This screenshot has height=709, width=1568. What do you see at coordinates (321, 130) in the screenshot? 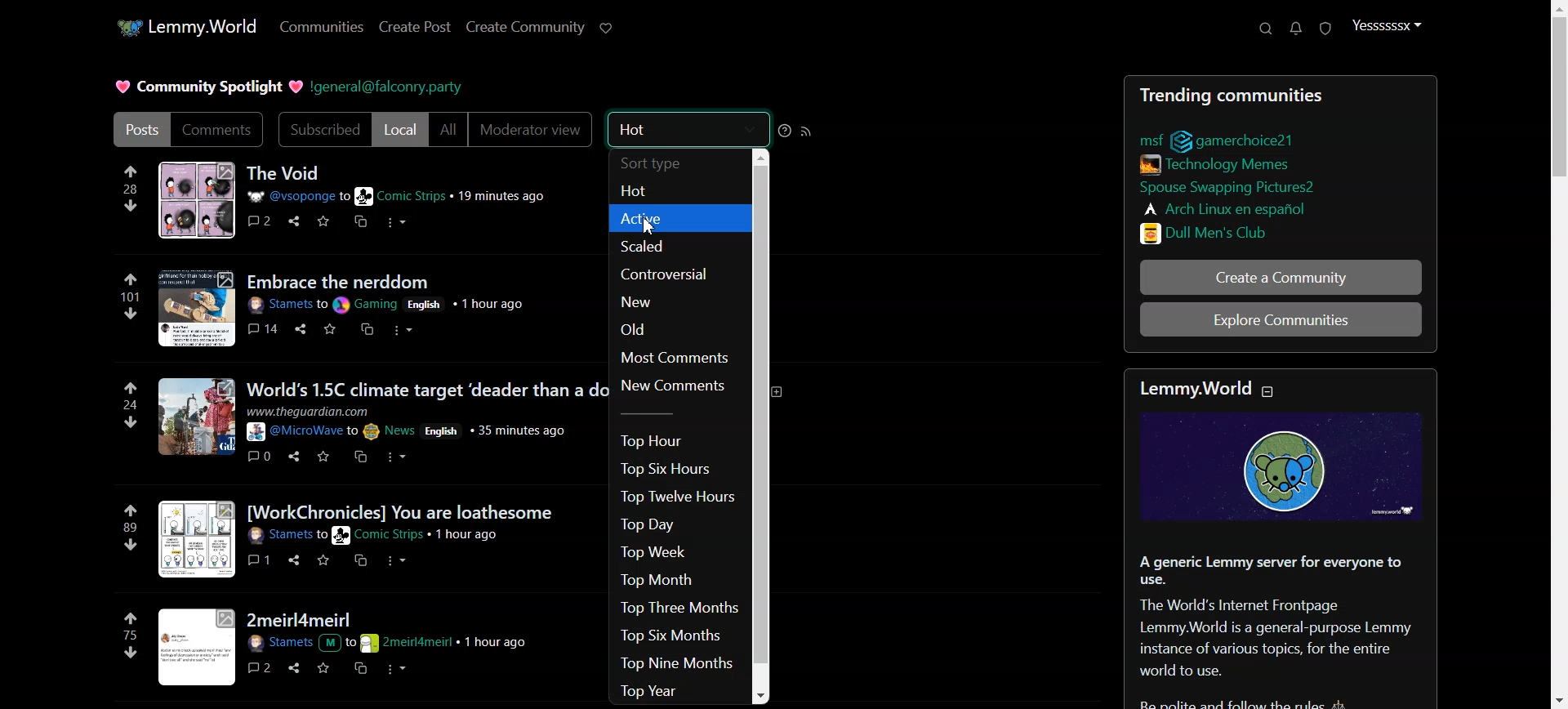
I see `Subscribed` at bounding box center [321, 130].